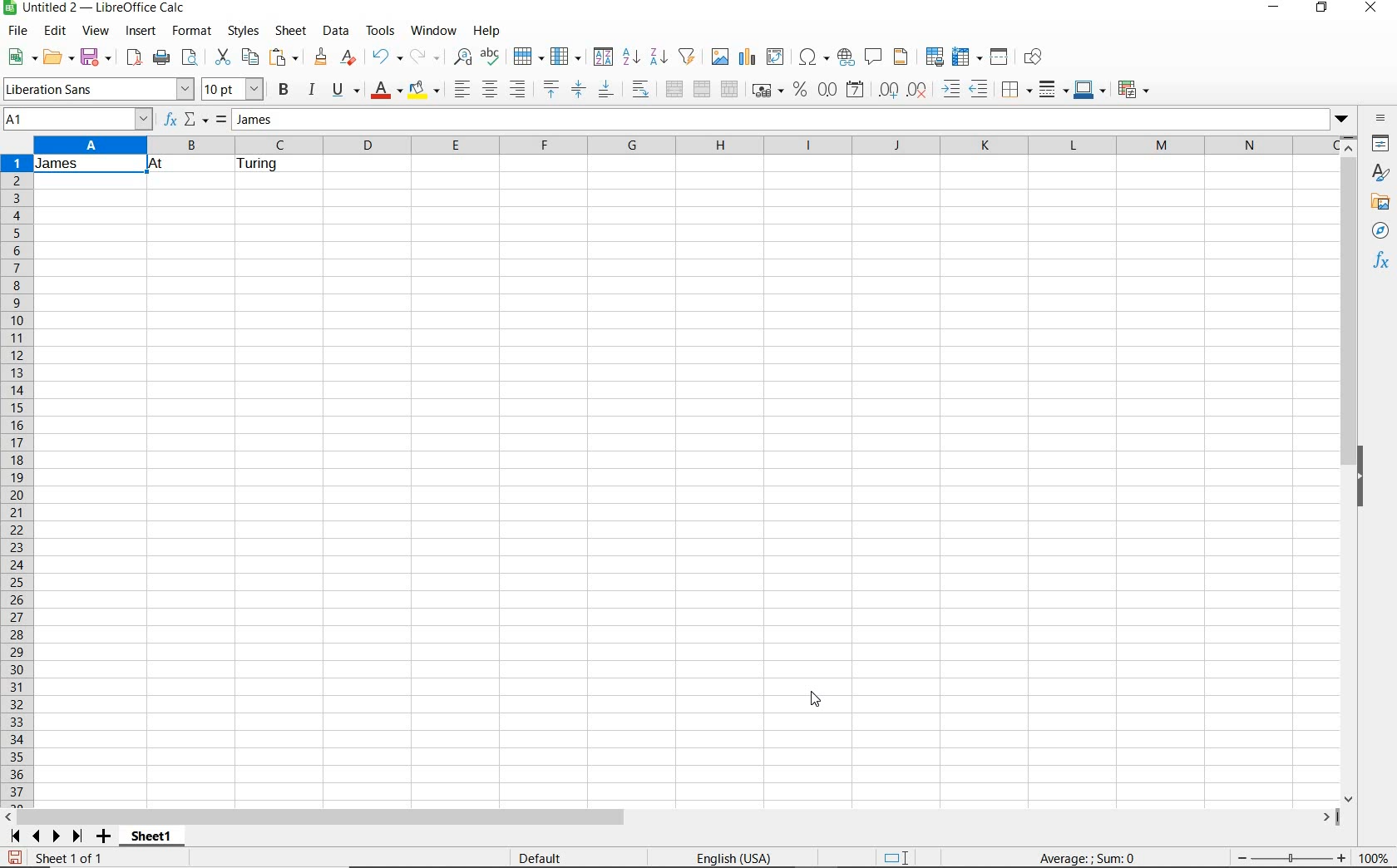 Image resolution: width=1397 pixels, height=868 pixels. What do you see at coordinates (518, 91) in the screenshot?
I see `align right` at bounding box center [518, 91].